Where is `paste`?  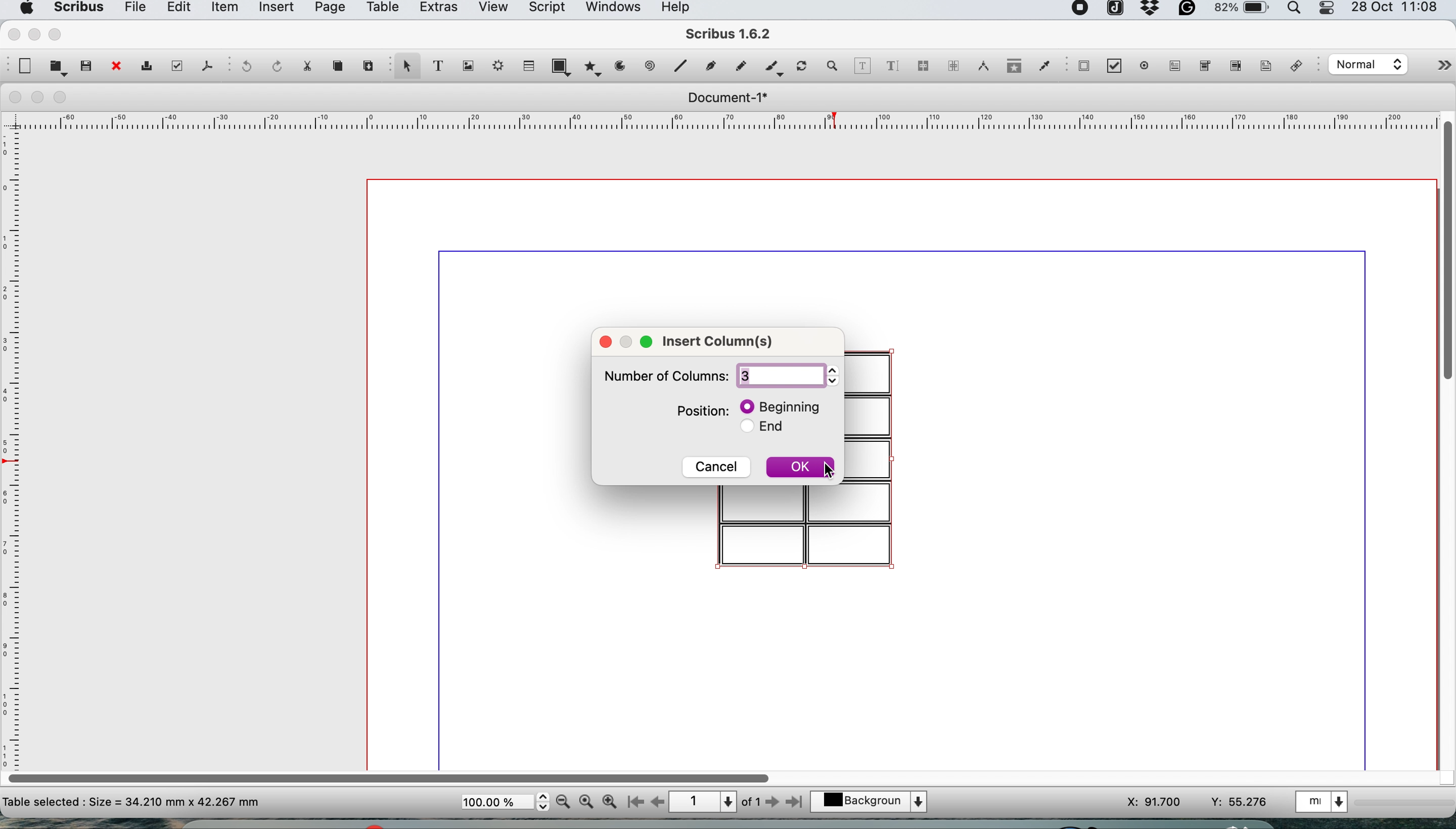 paste is located at coordinates (367, 64).